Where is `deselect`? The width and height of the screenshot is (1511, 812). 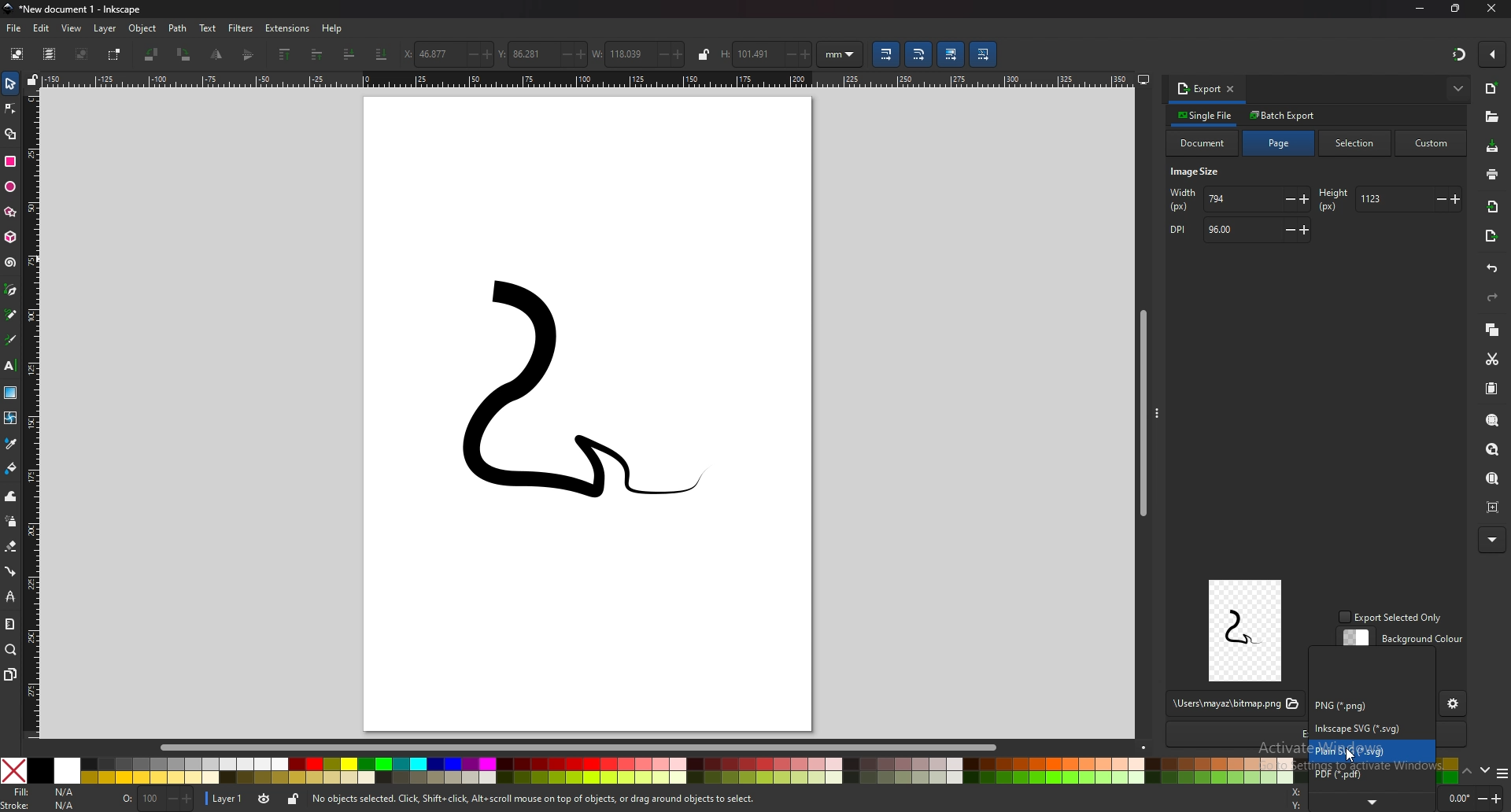 deselect is located at coordinates (83, 54).